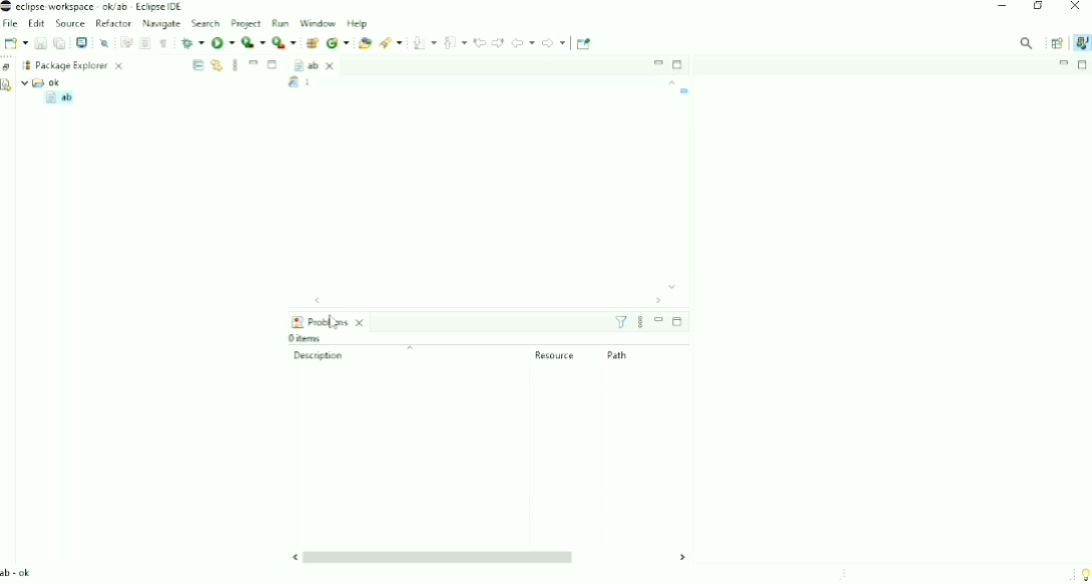  Describe the element at coordinates (619, 355) in the screenshot. I see `Path` at that location.